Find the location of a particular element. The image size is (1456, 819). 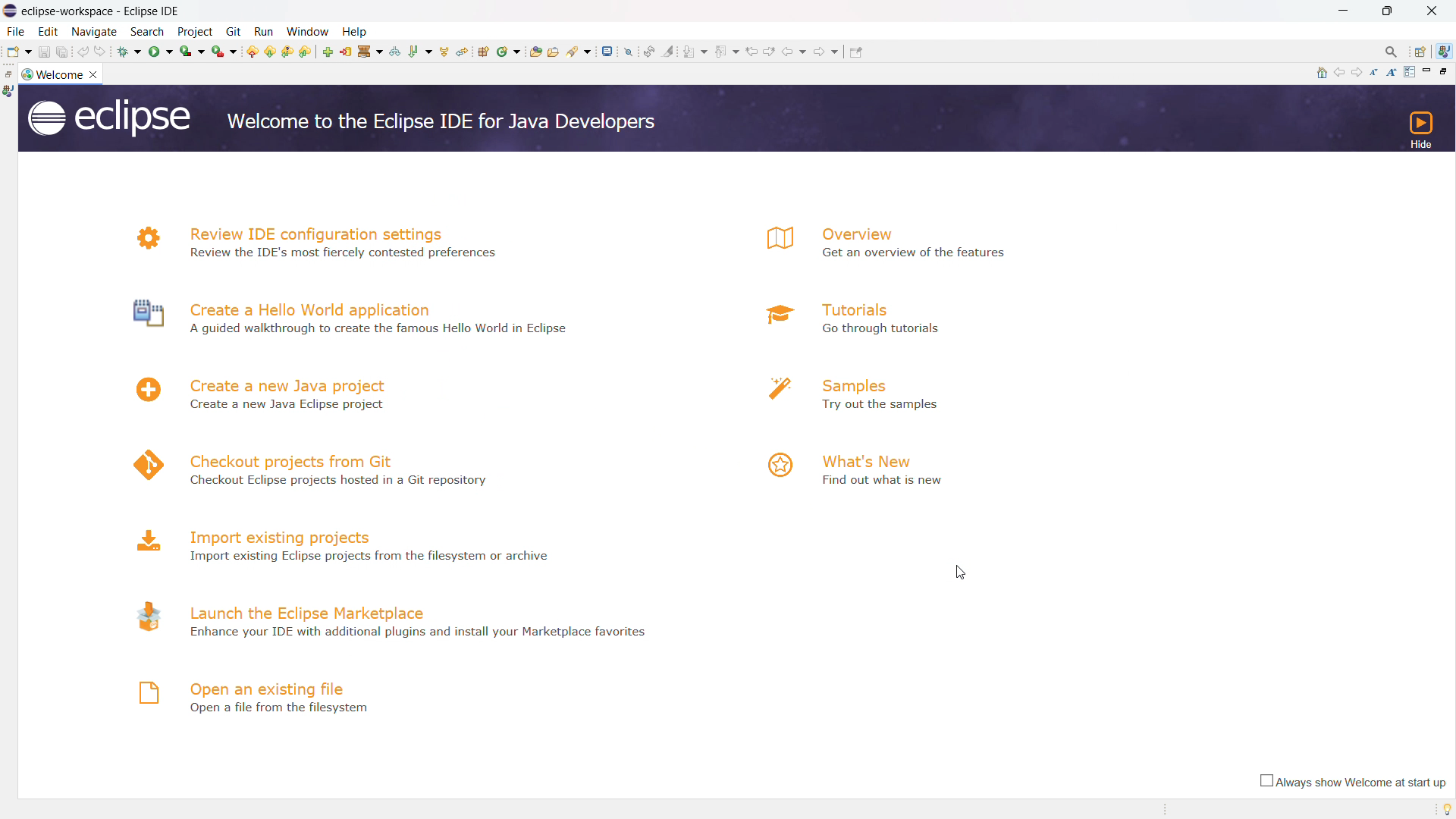

a Go through tutorials is located at coordinates (896, 328).